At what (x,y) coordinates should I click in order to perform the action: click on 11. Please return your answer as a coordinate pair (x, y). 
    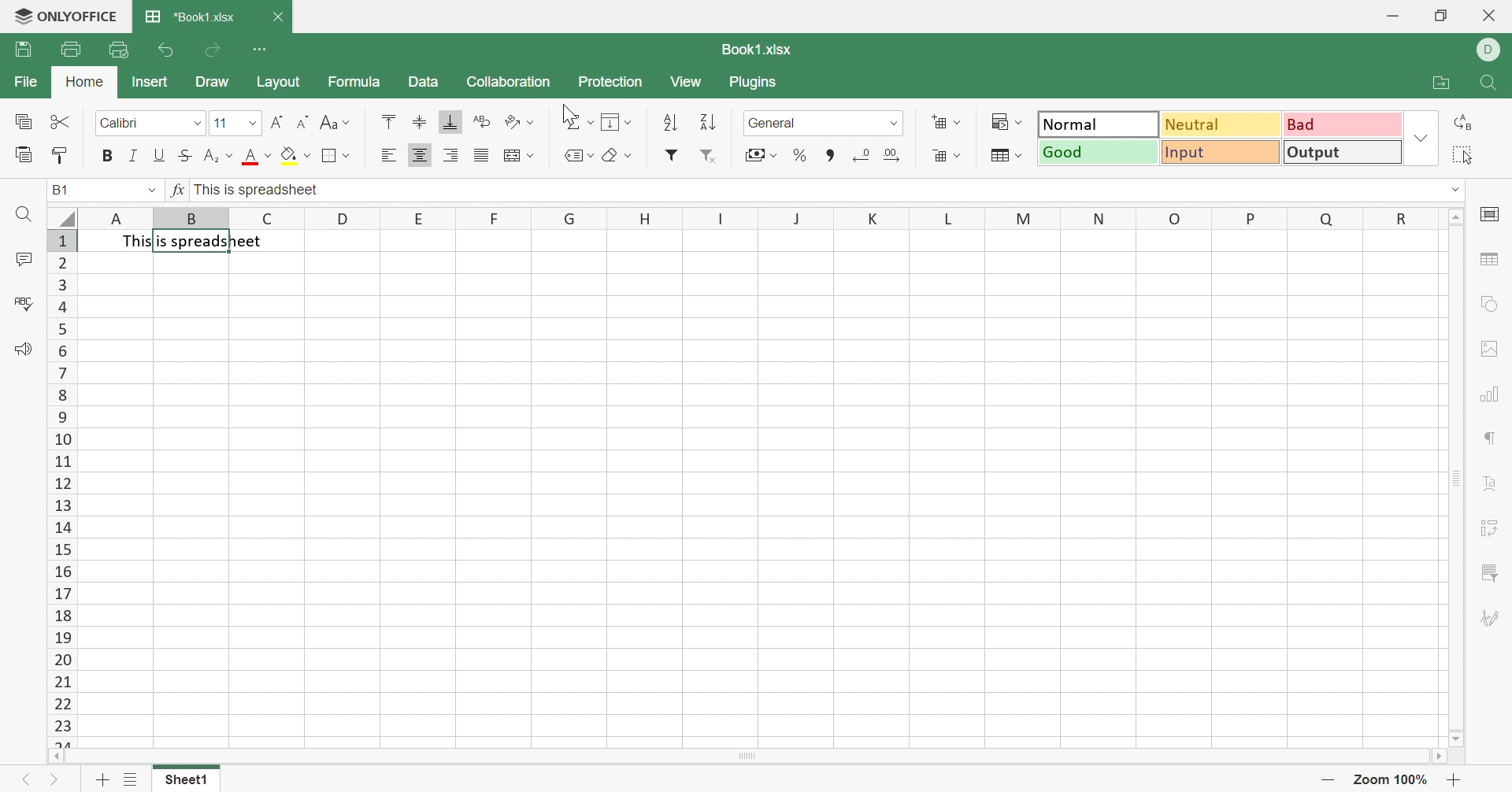
    Looking at the image, I should click on (220, 122).